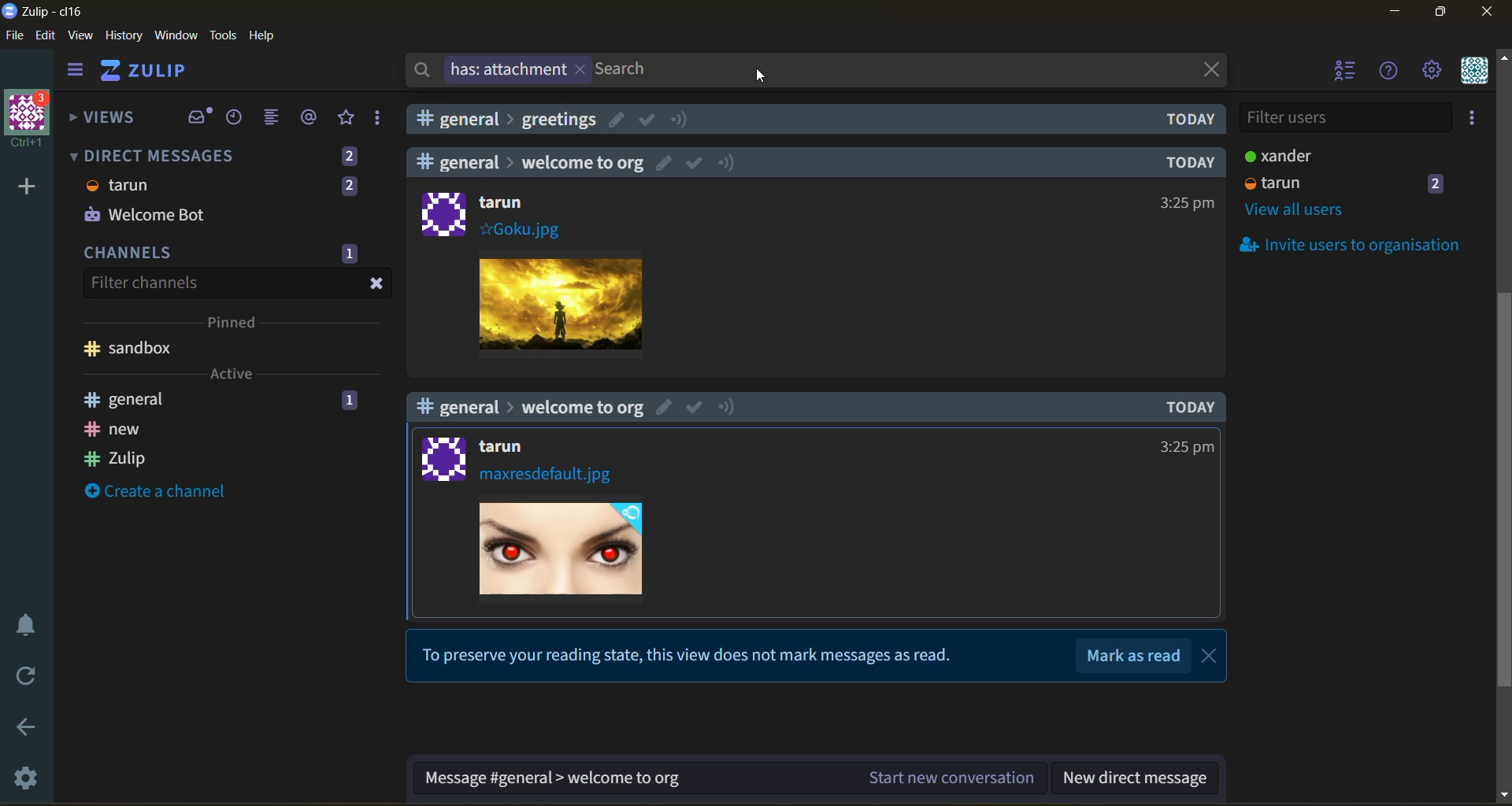 This screenshot has width=1512, height=806. Describe the element at coordinates (46, 36) in the screenshot. I see `edit` at that location.